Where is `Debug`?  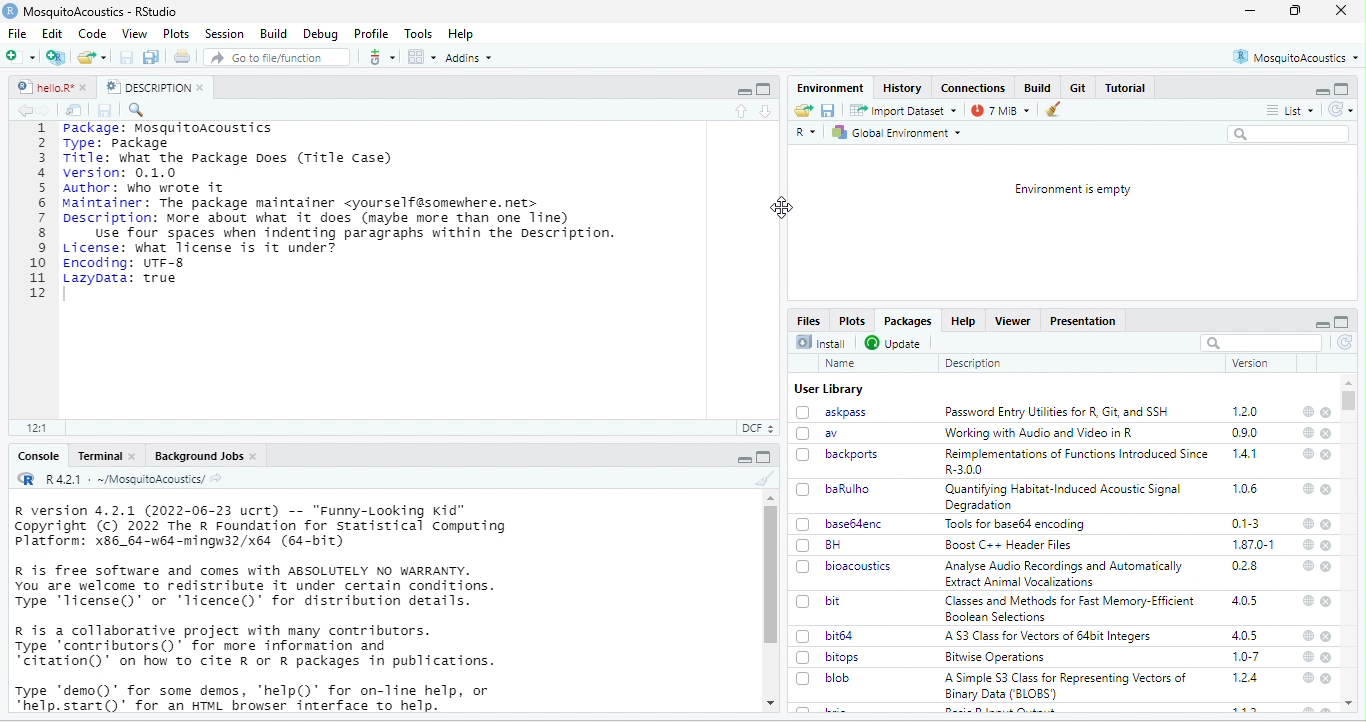
Debug is located at coordinates (321, 35).